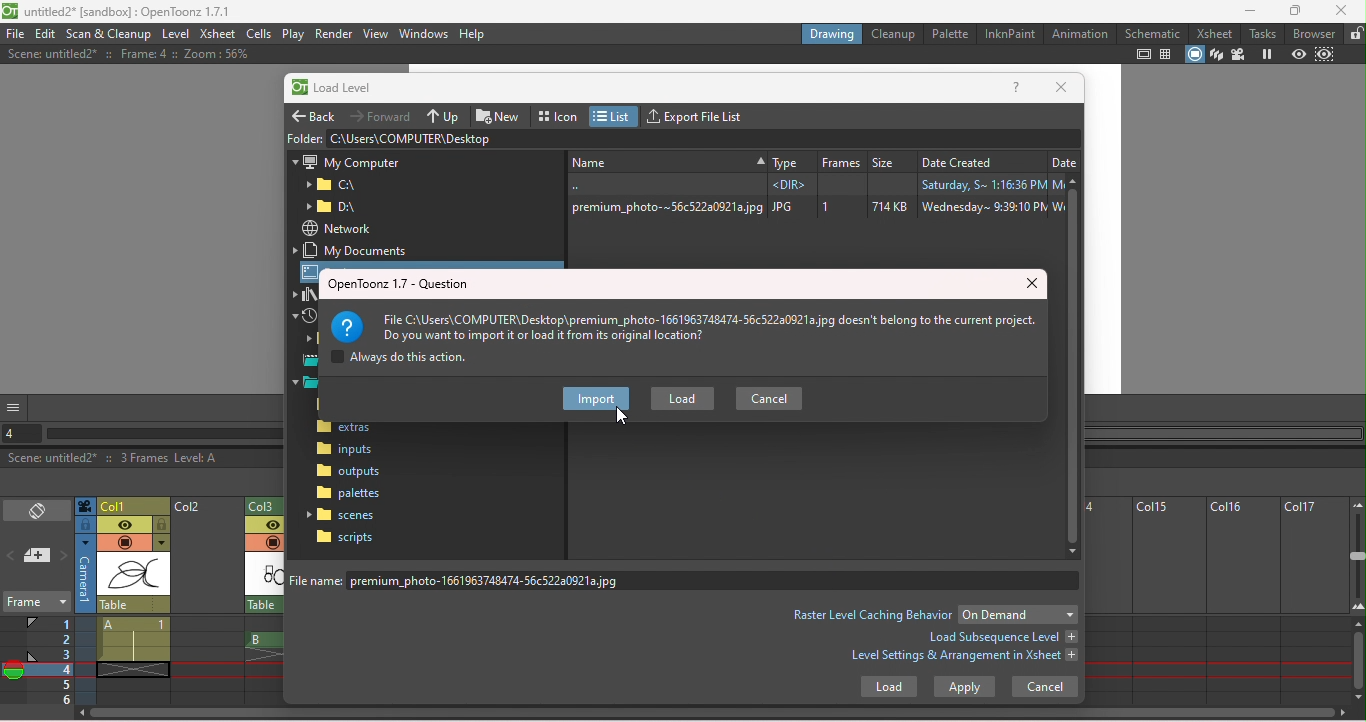  I want to click on Load level, so click(343, 89).